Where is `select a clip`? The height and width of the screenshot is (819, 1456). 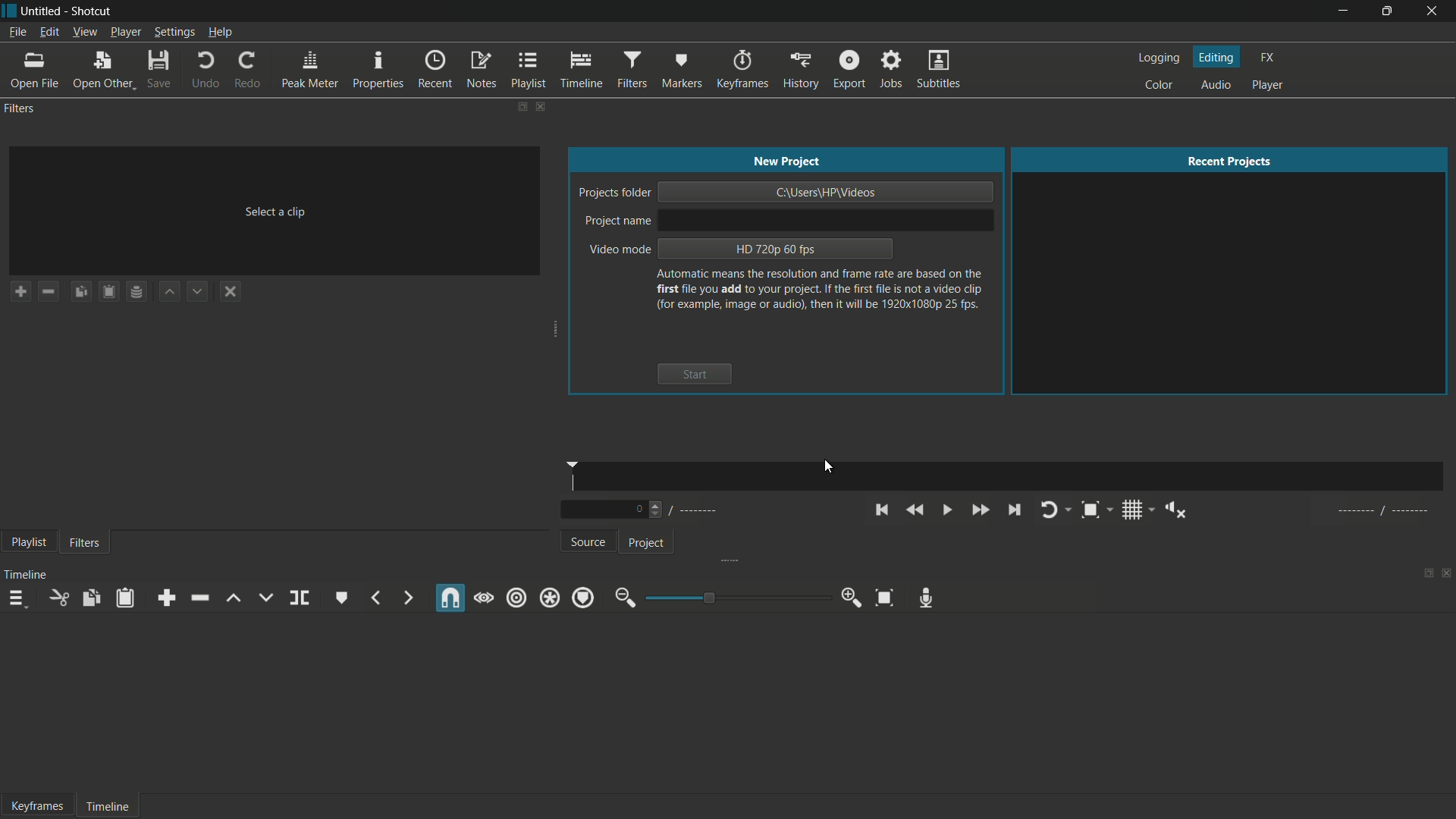 select a clip is located at coordinates (275, 212).